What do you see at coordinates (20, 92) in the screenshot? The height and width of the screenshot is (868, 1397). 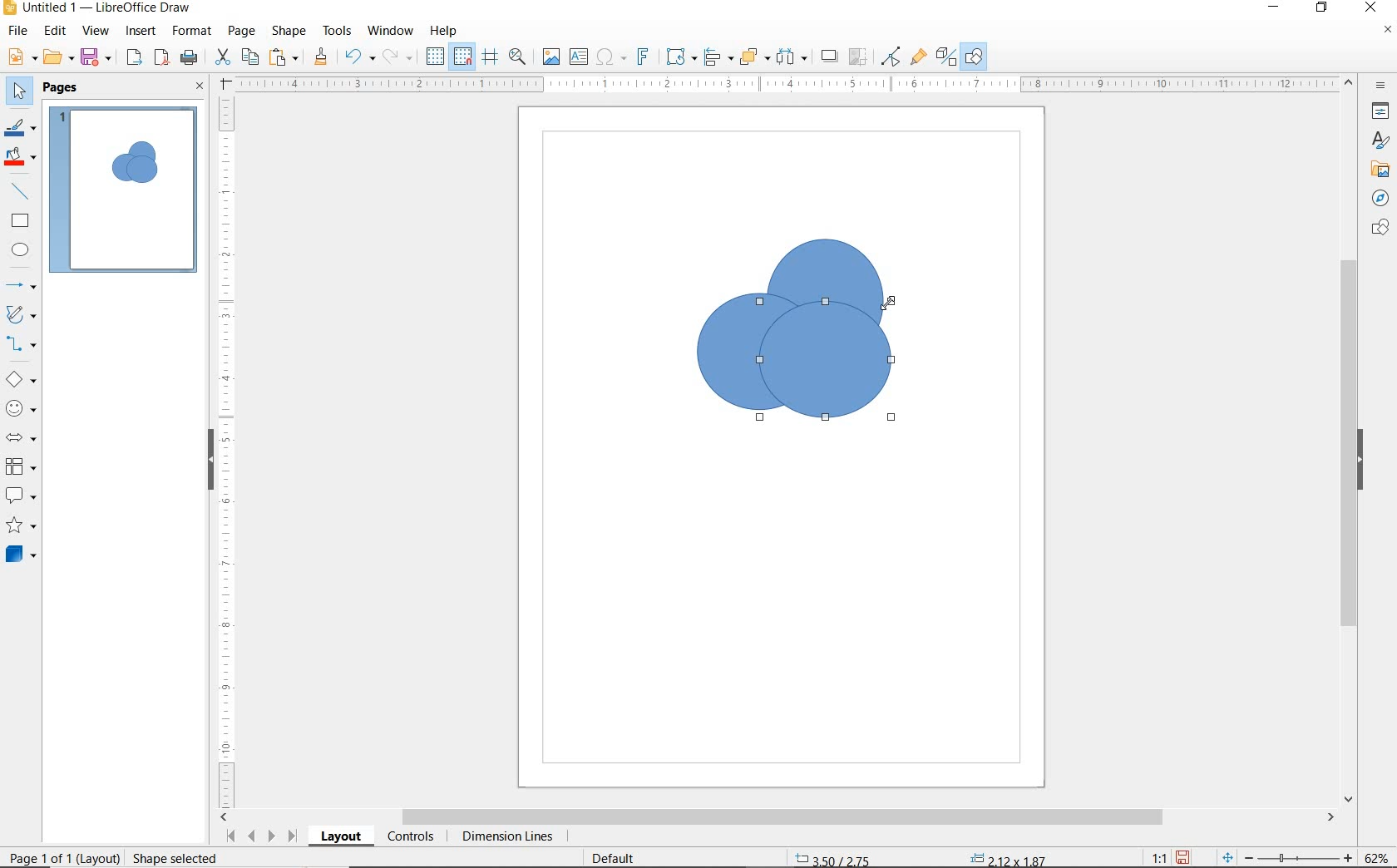 I see `SELECT` at bounding box center [20, 92].